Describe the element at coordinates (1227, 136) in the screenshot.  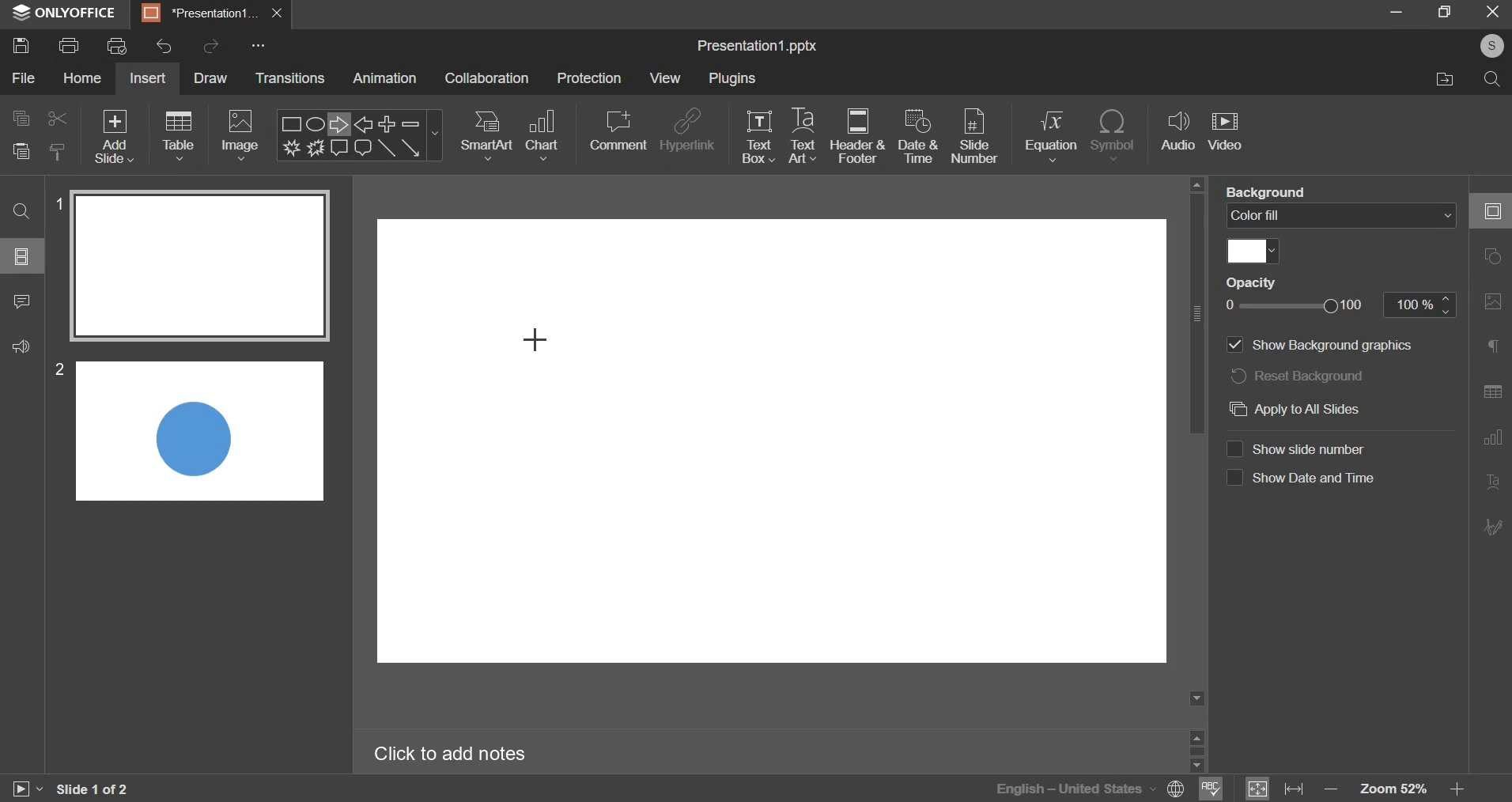
I see `insert video` at that location.